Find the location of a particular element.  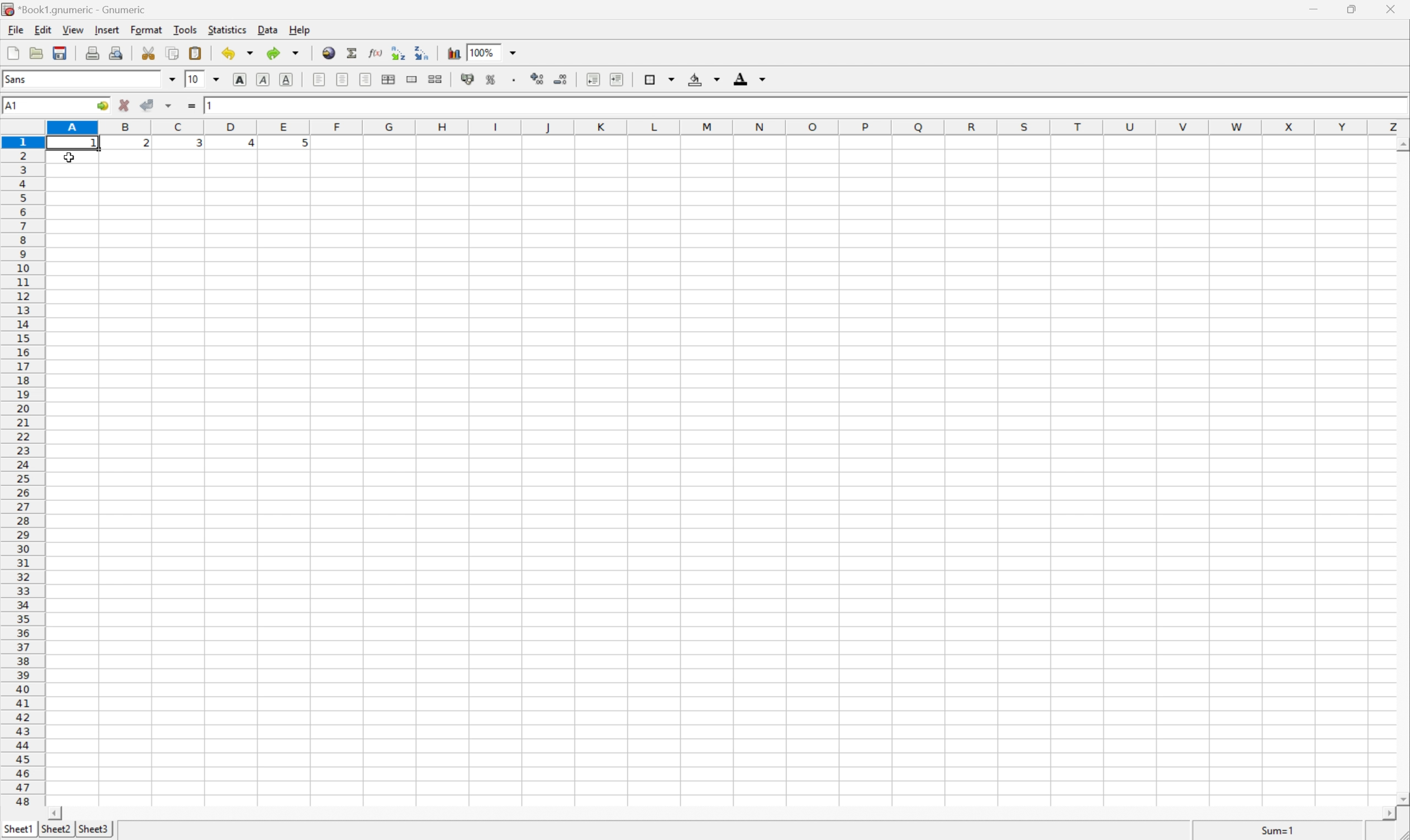

format is located at coordinates (144, 30).